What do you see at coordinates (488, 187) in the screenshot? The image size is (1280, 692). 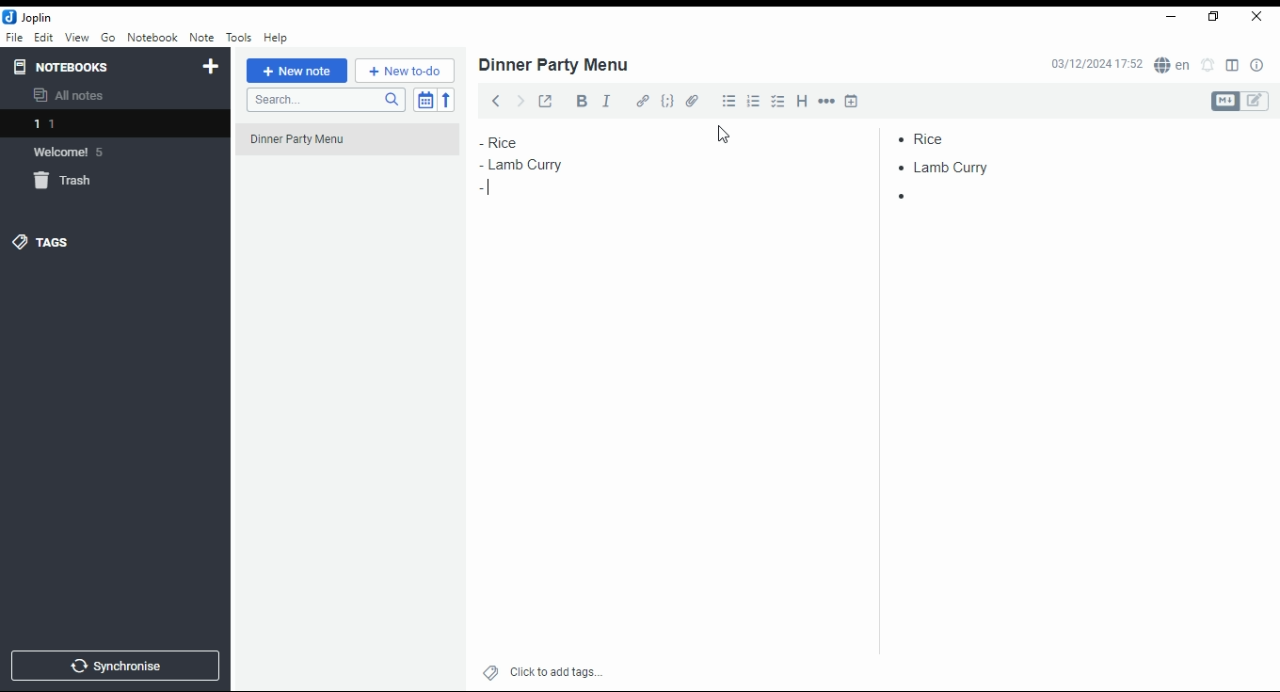 I see `Text cursor` at bounding box center [488, 187].